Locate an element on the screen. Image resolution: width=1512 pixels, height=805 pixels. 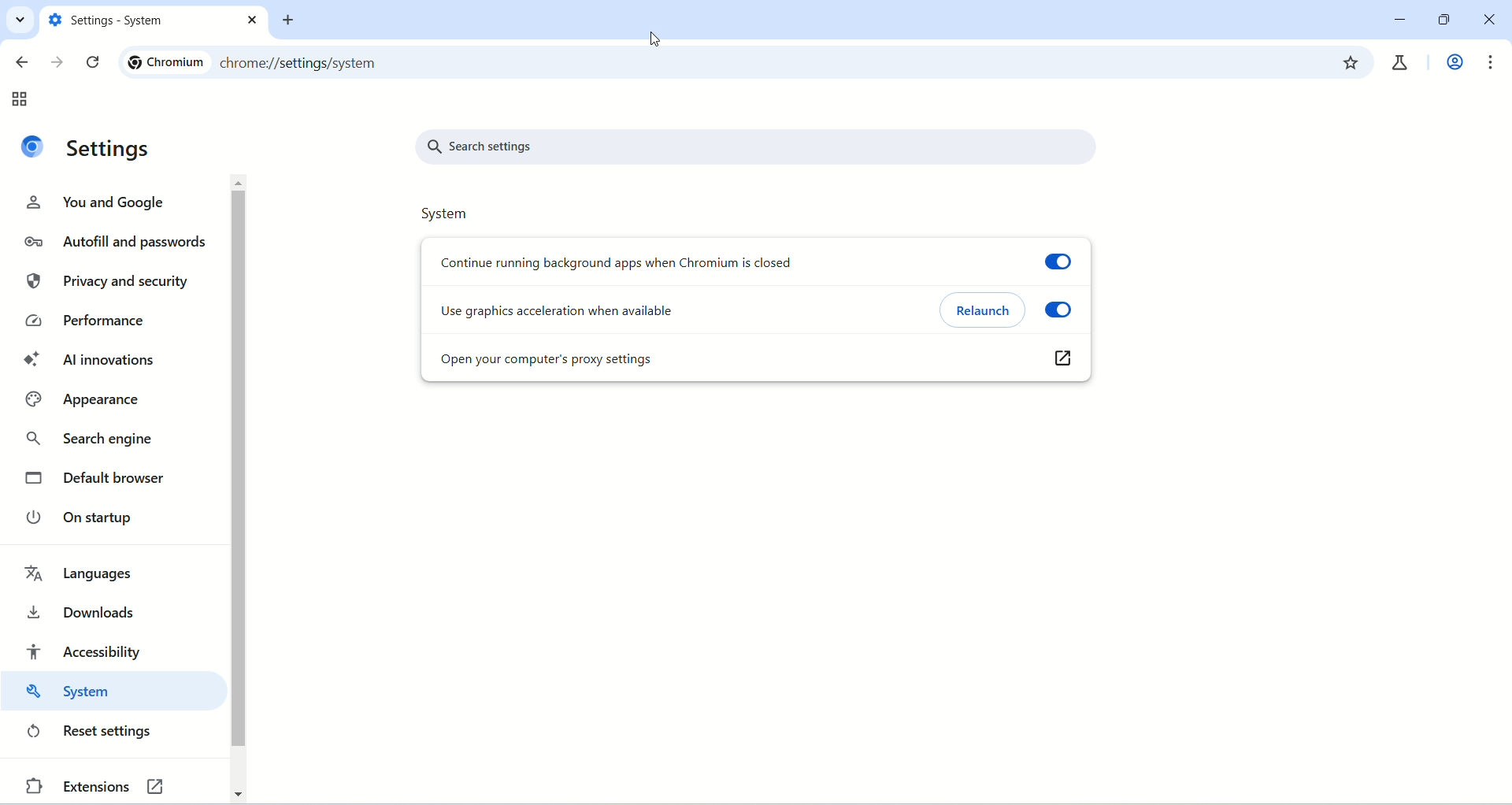
chrome labs is located at coordinates (1403, 60).